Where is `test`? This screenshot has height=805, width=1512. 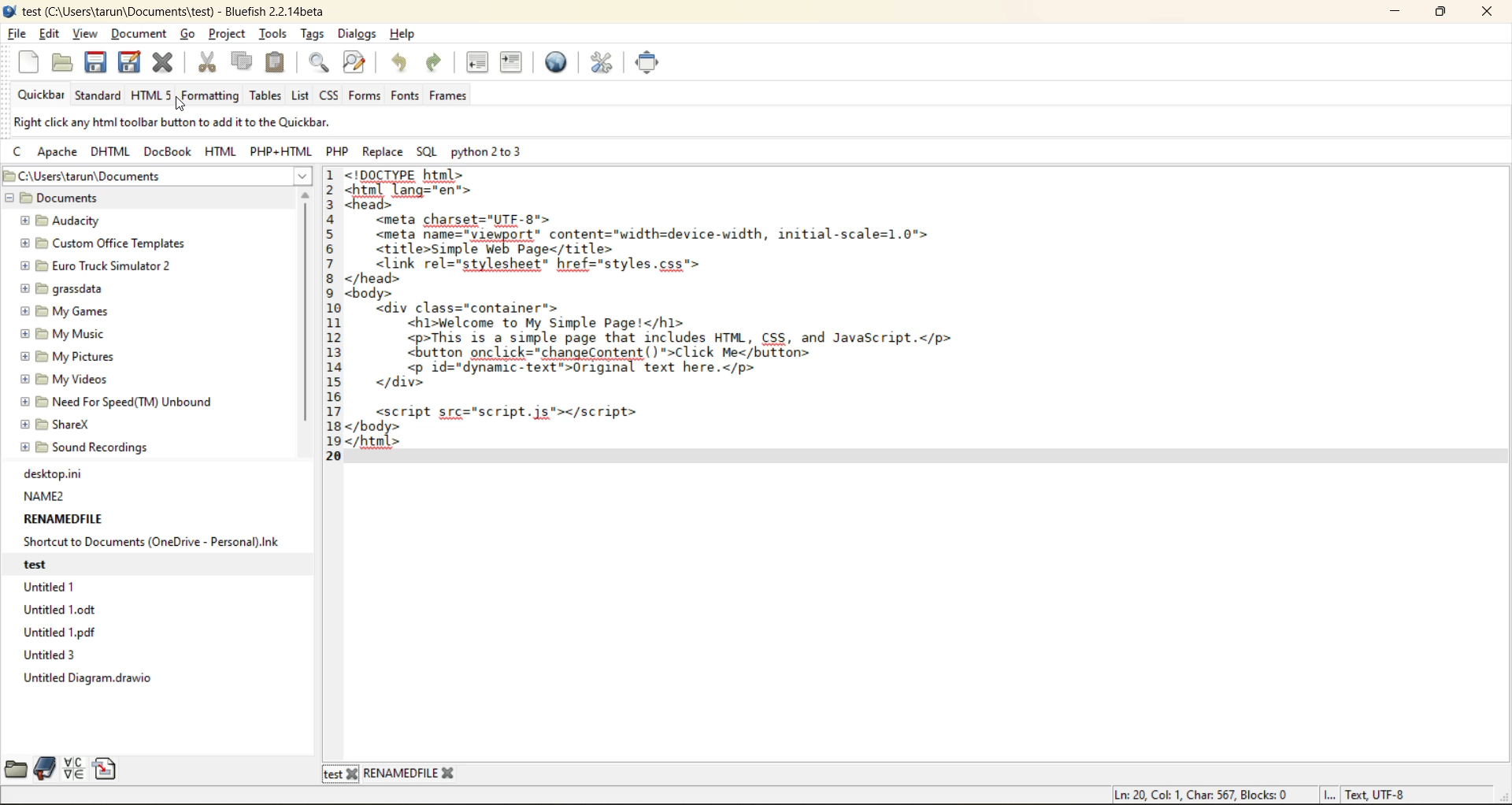
test is located at coordinates (55, 565).